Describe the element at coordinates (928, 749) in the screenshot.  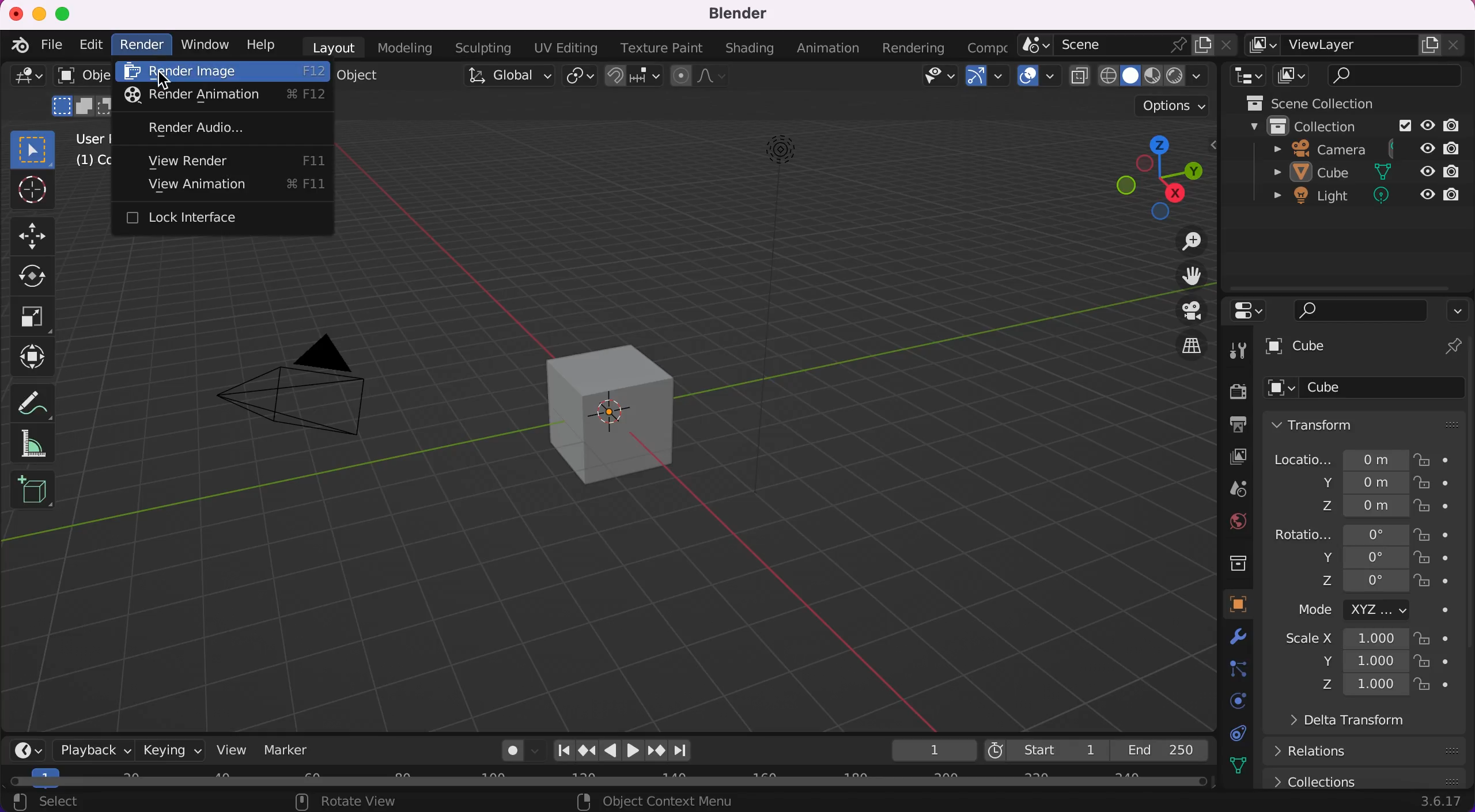
I see `1` at that location.